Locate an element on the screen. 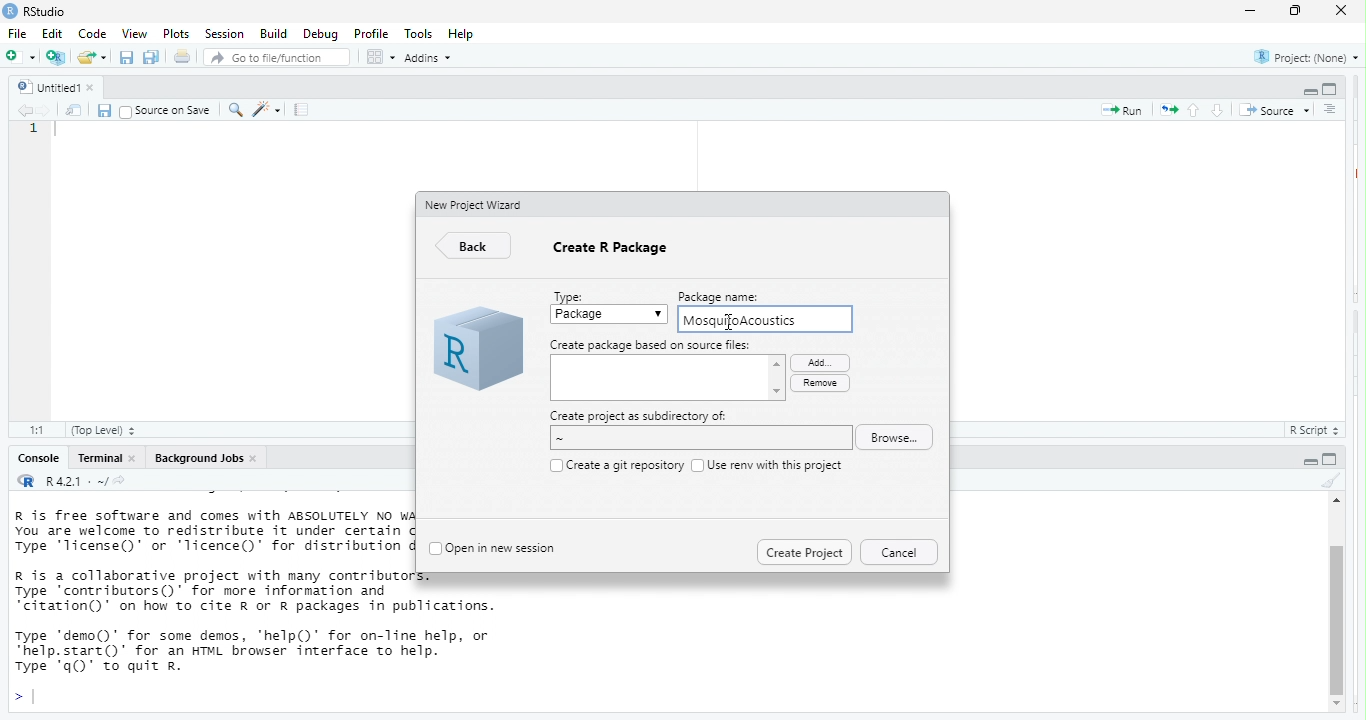  r studio logo is located at coordinates (476, 351).